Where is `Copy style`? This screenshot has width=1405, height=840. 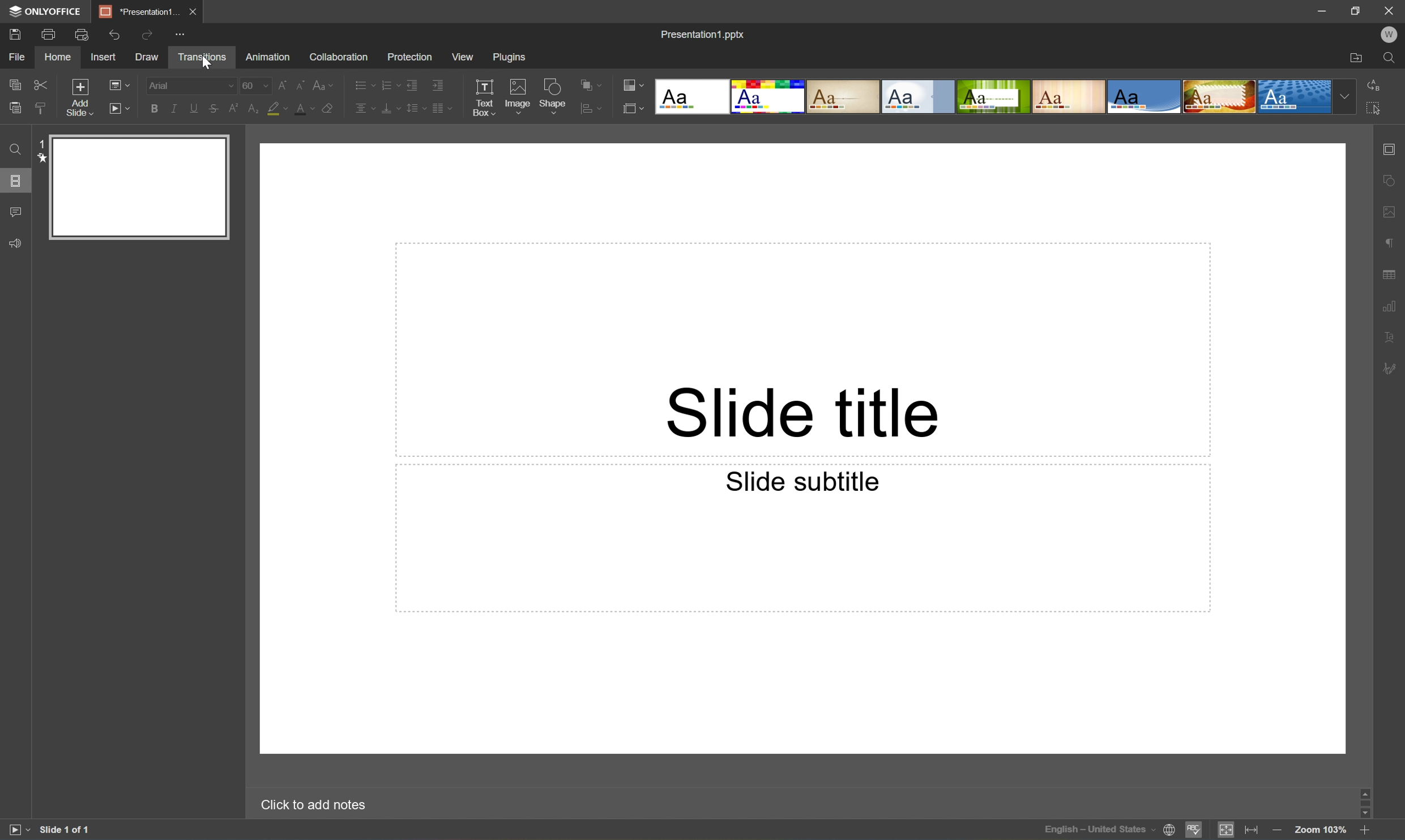 Copy style is located at coordinates (41, 108).